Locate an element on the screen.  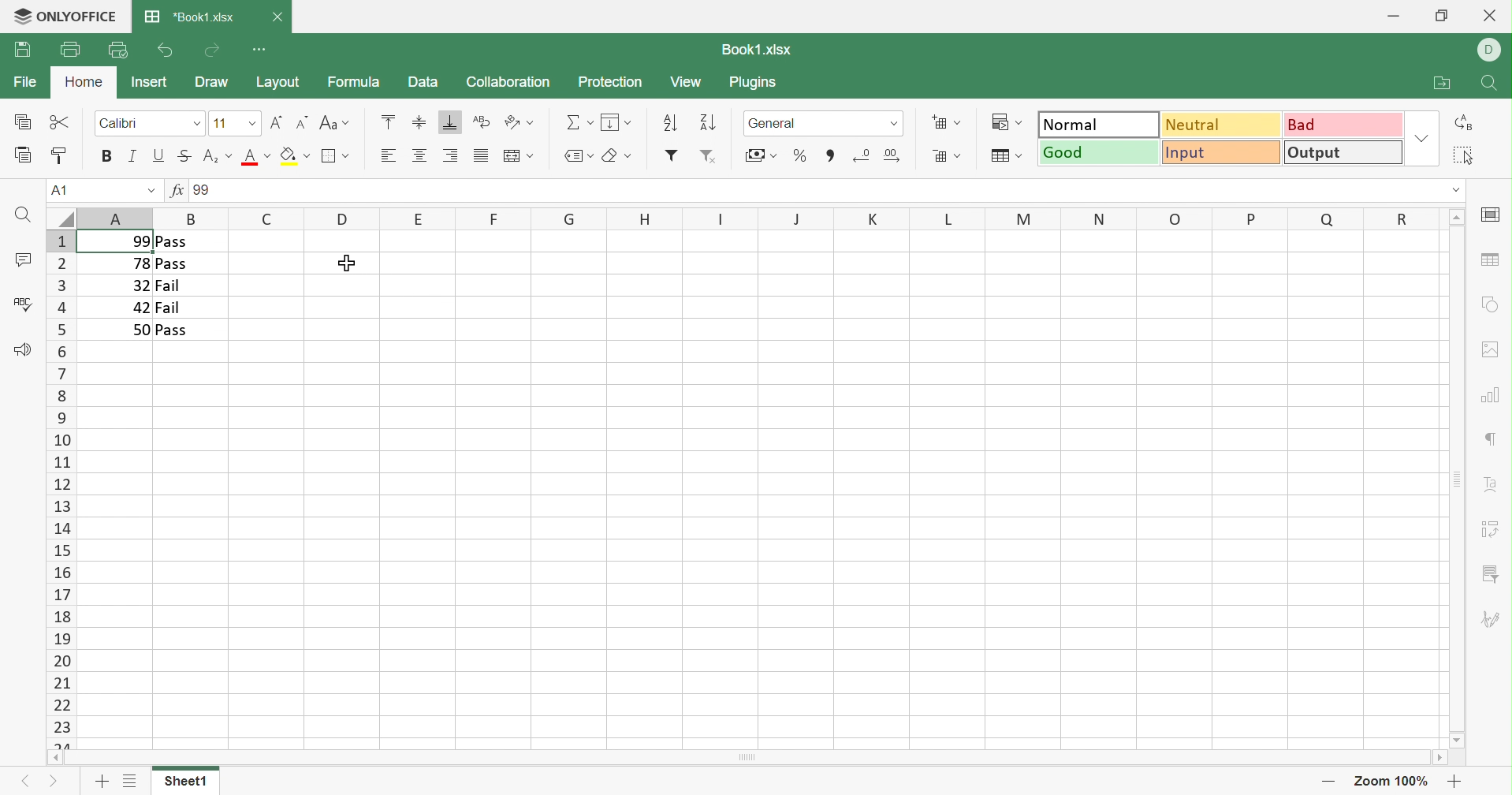
50 is located at coordinates (139, 330).